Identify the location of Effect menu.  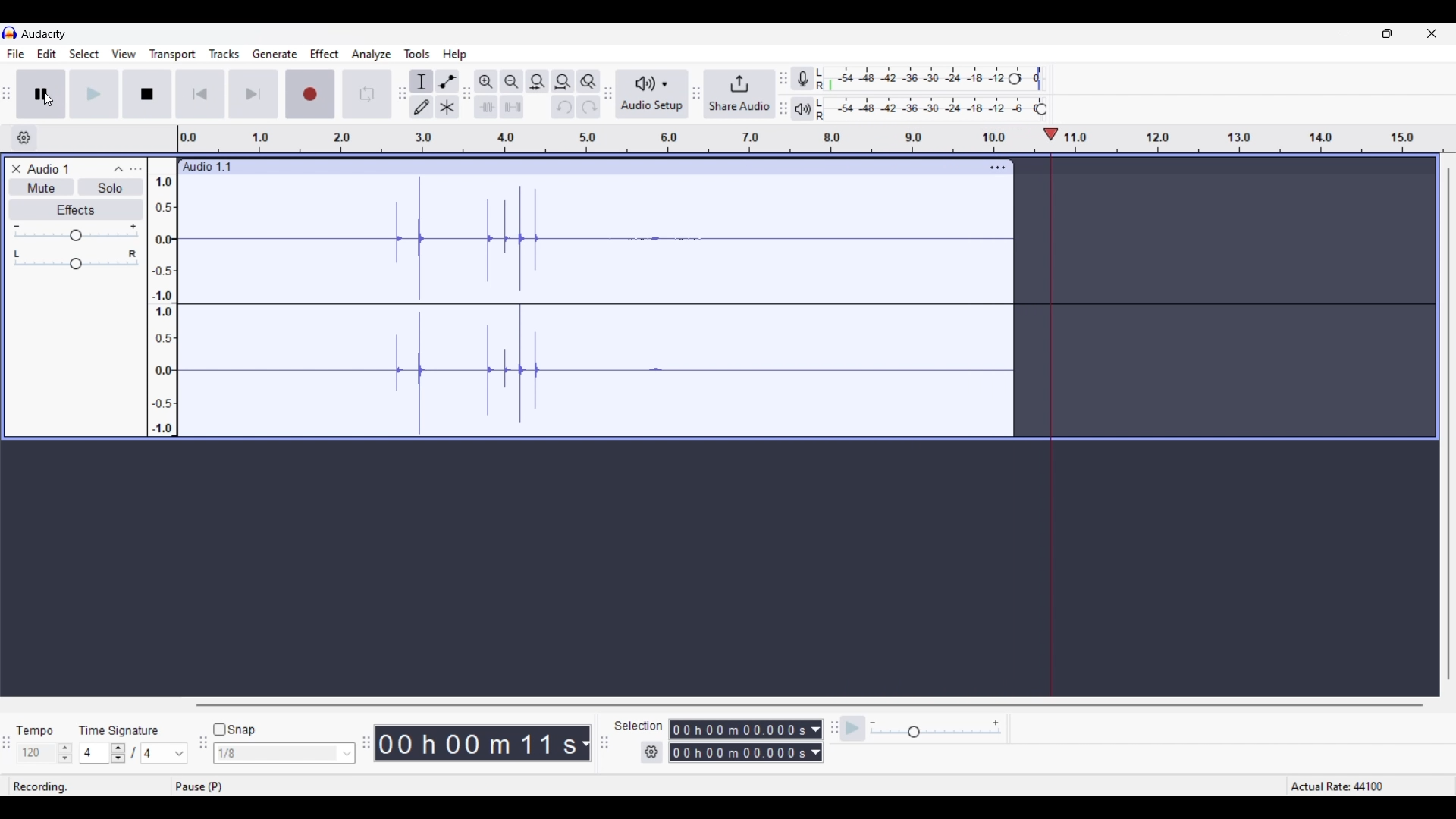
(325, 54).